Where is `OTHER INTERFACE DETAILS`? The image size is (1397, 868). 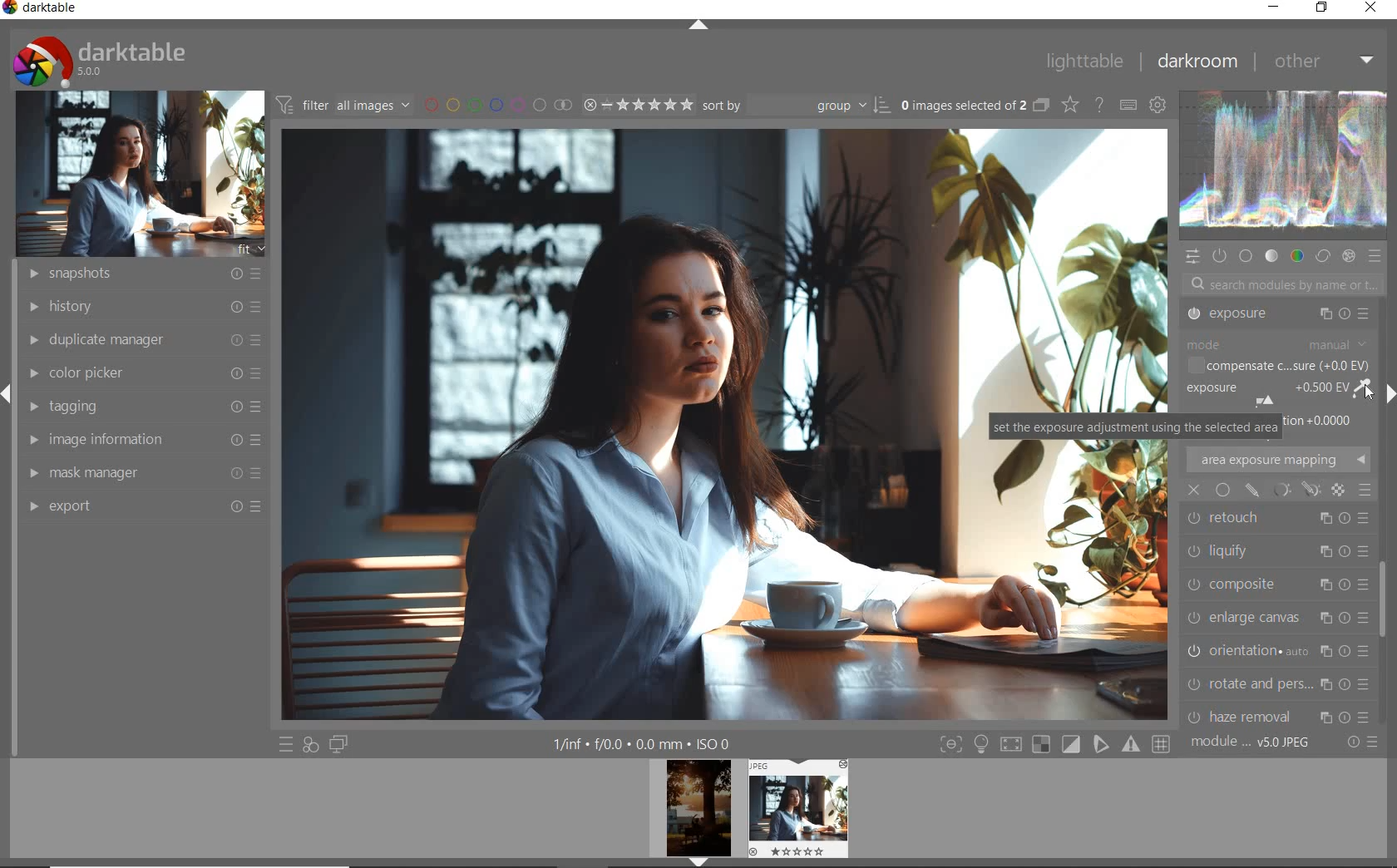 OTHER INTERFACE DETAILS is located at coordinates (643, 744).